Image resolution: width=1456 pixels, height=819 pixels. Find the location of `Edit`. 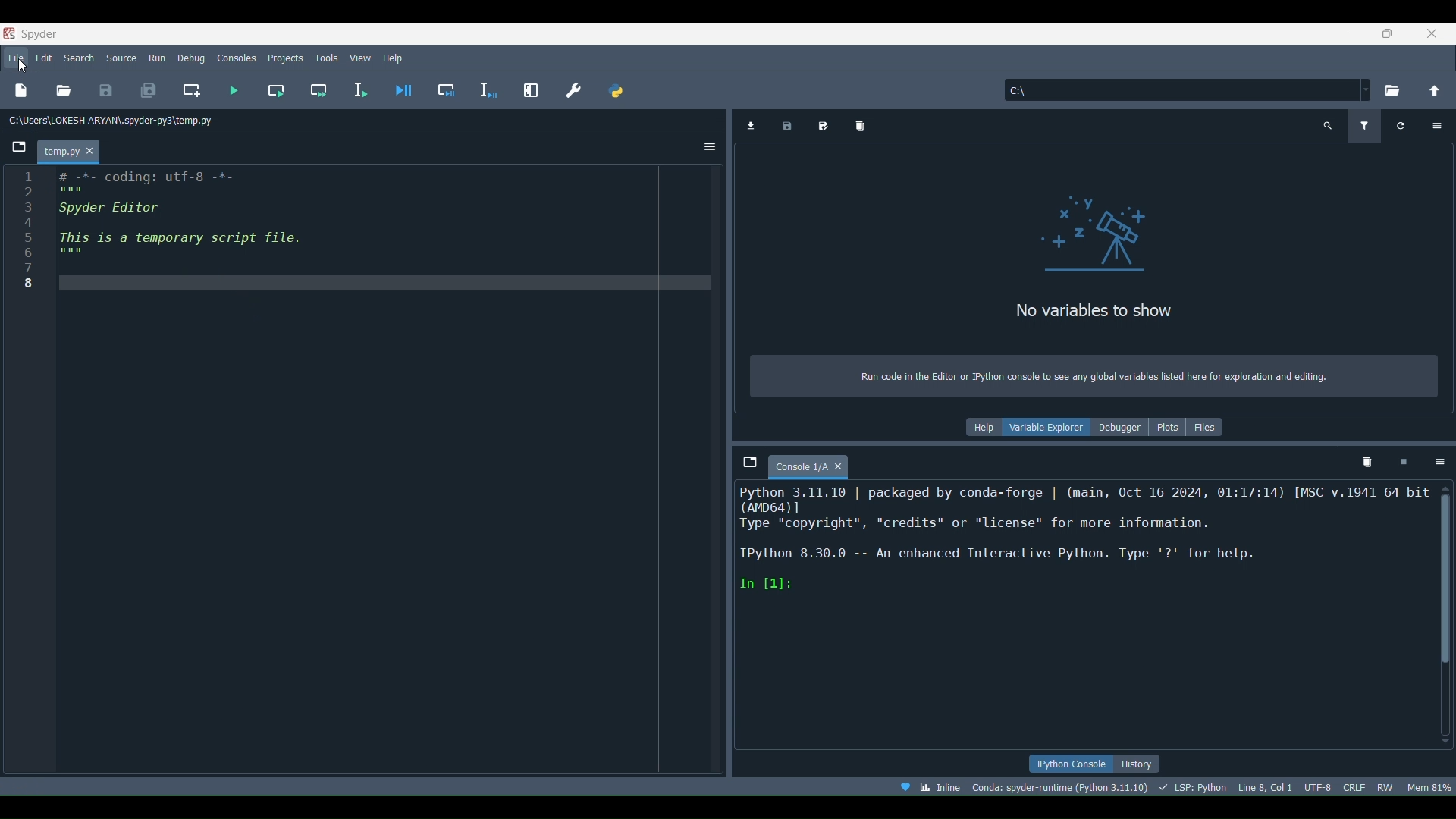

Edit is located at coordinates (45, 57).